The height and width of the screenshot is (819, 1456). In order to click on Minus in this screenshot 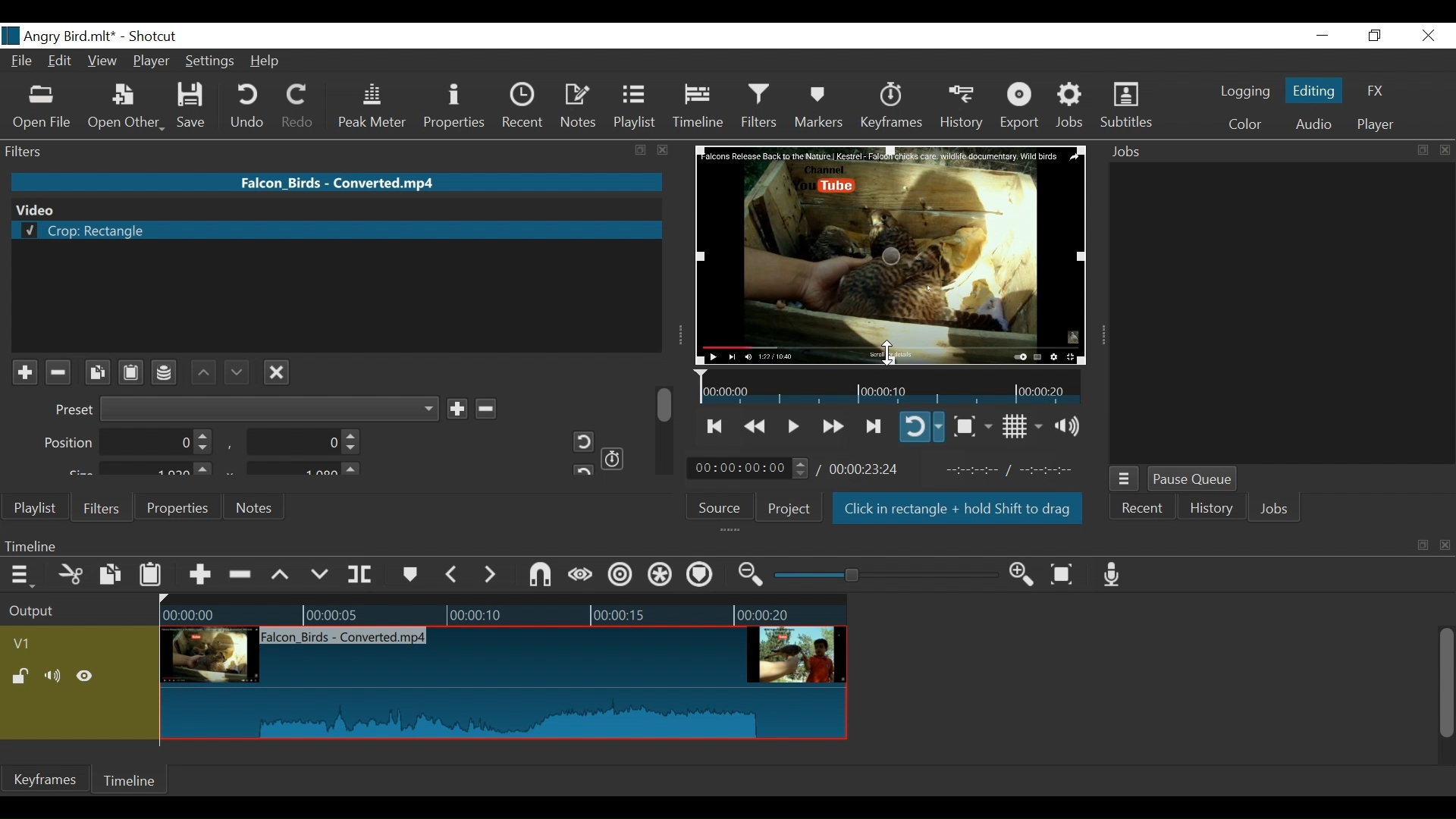, I will do `click(485, 406)`.